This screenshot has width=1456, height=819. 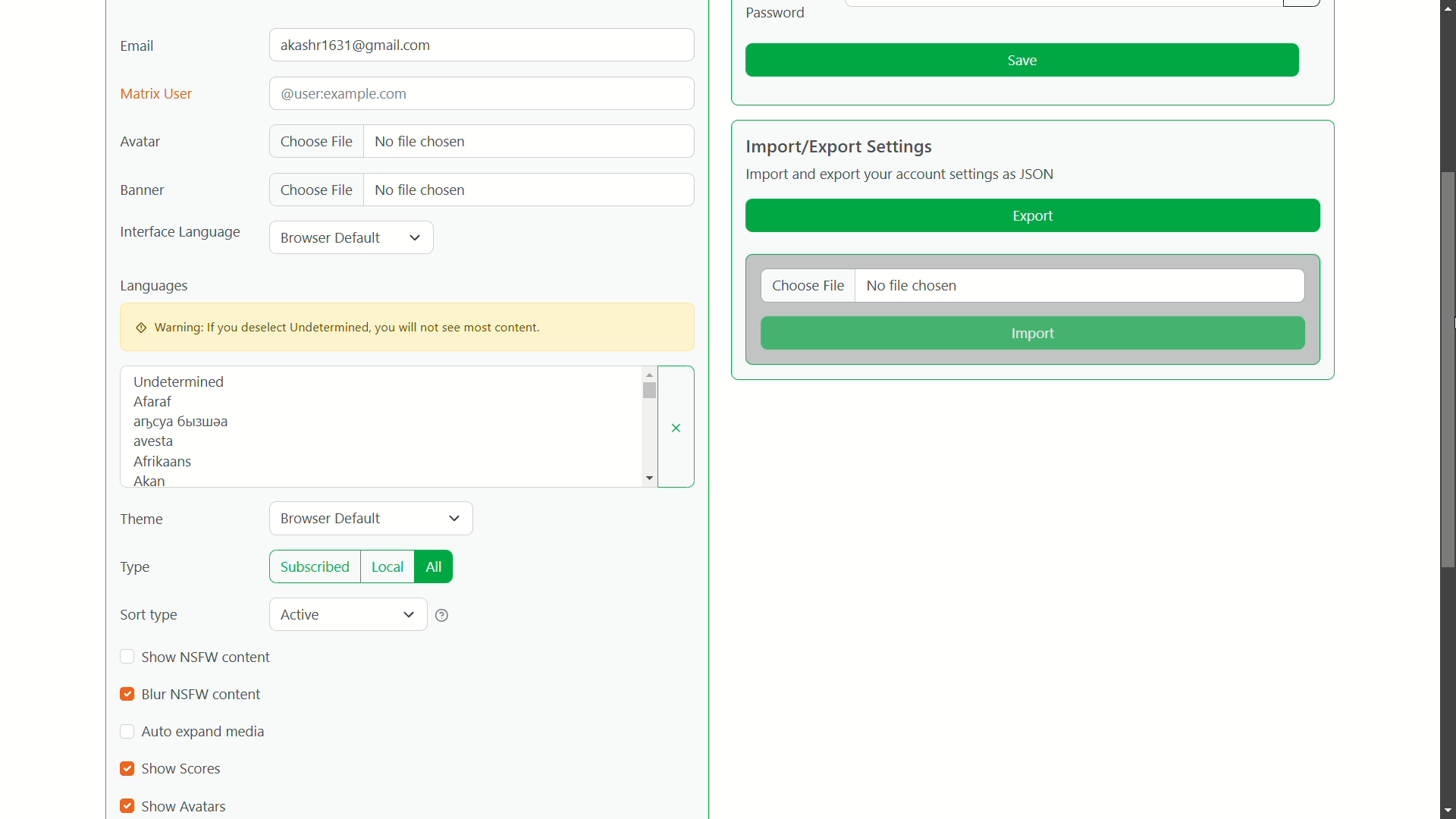 What do you see at coordinates (153, 443) in the screenshot?
I see `avesta` at bounding box center [153, 443].